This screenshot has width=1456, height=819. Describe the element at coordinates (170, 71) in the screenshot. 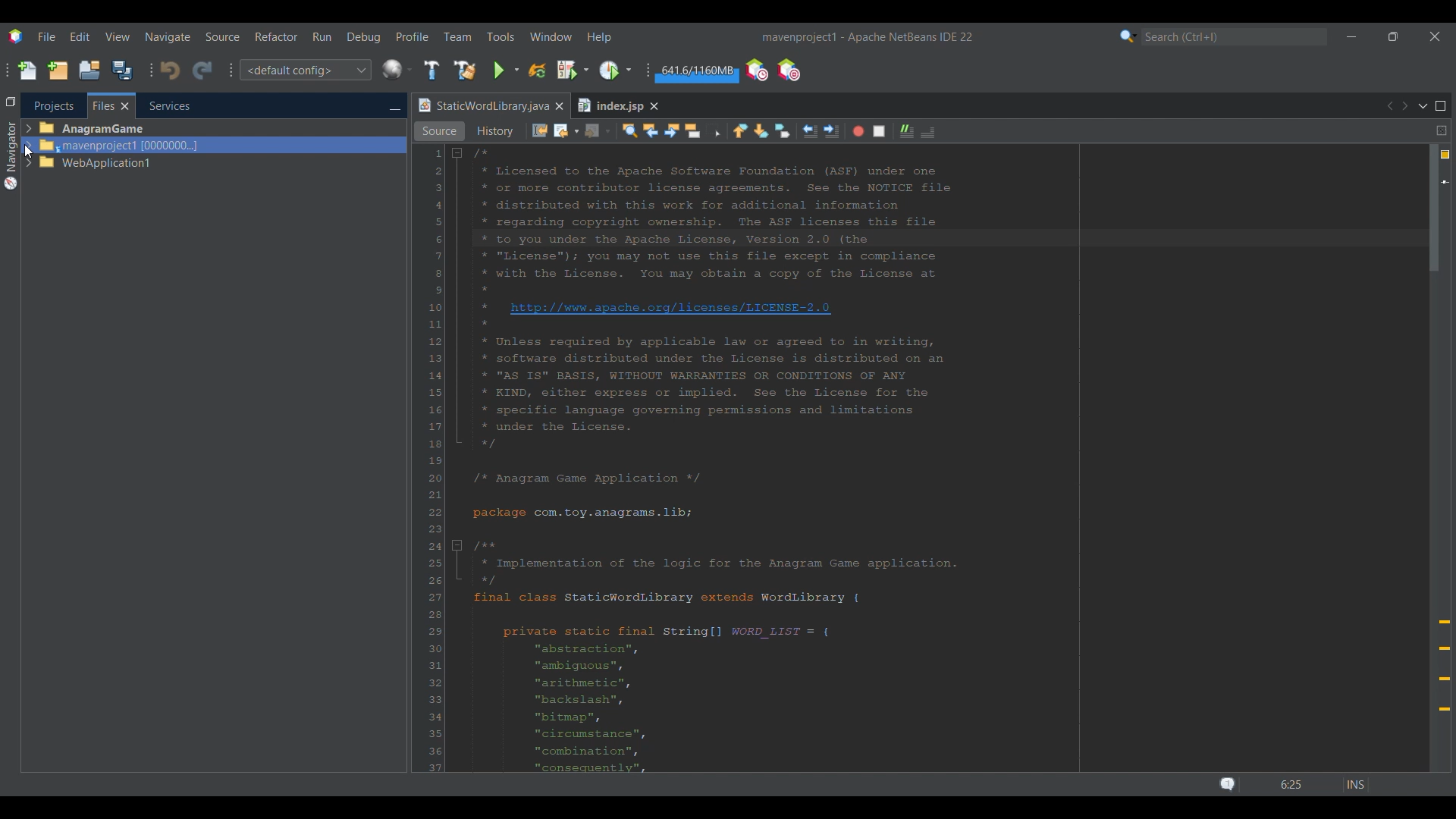

I see `Undo` at that location.